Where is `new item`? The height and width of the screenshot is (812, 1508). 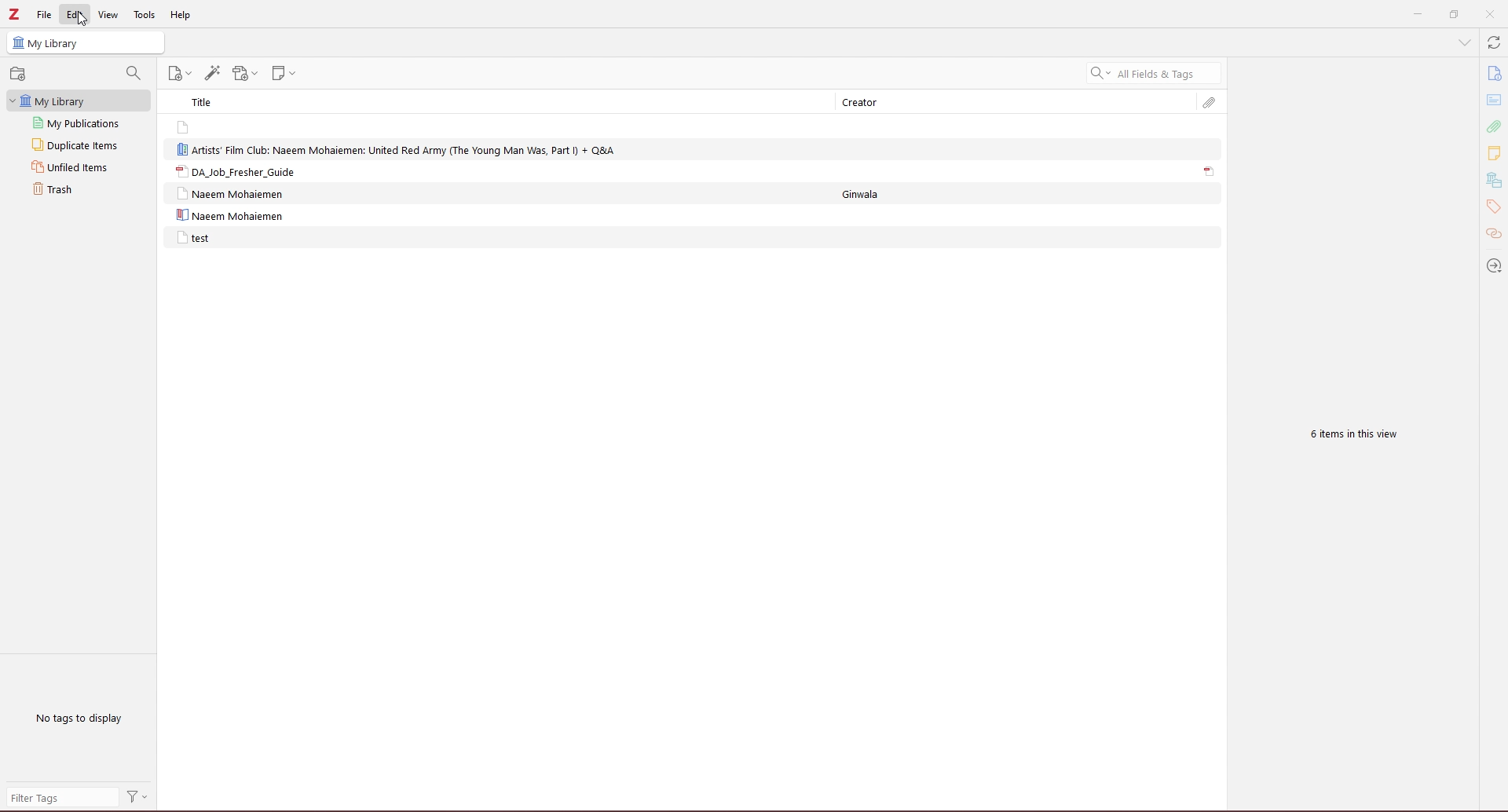
new item is located at coordinates (182, 74).